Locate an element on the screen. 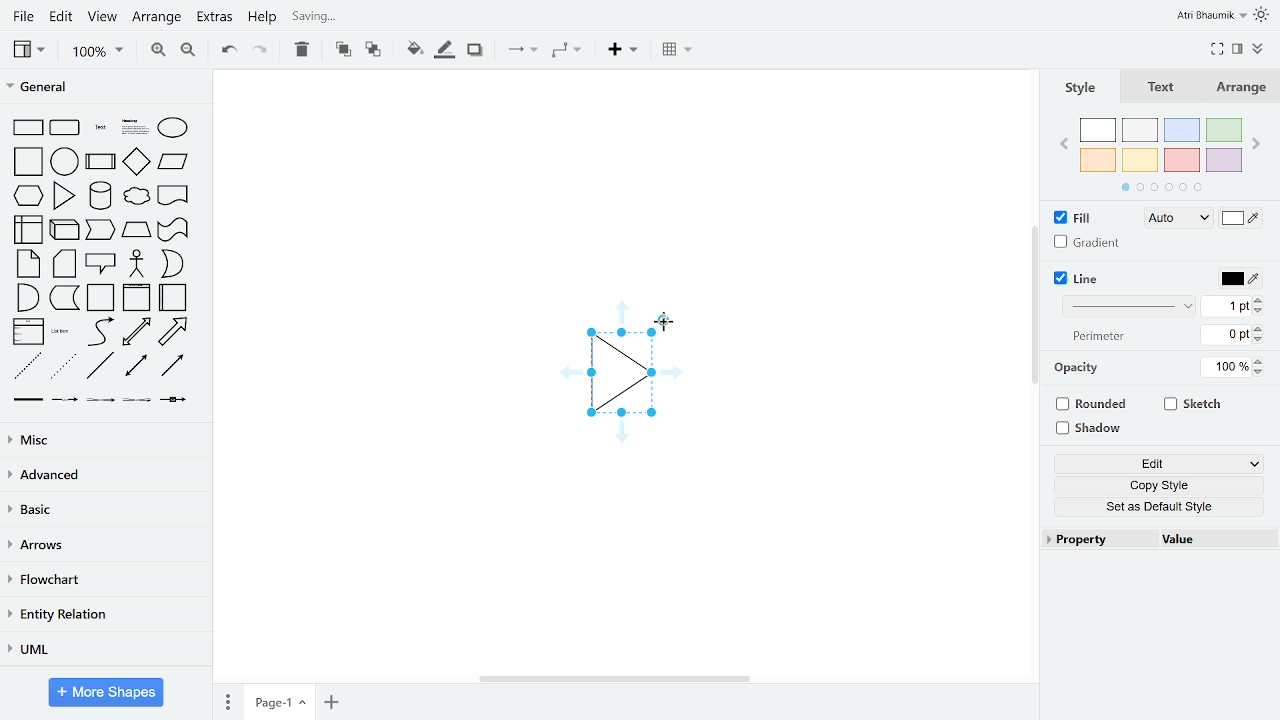  list is located at coordinates (27, 333).